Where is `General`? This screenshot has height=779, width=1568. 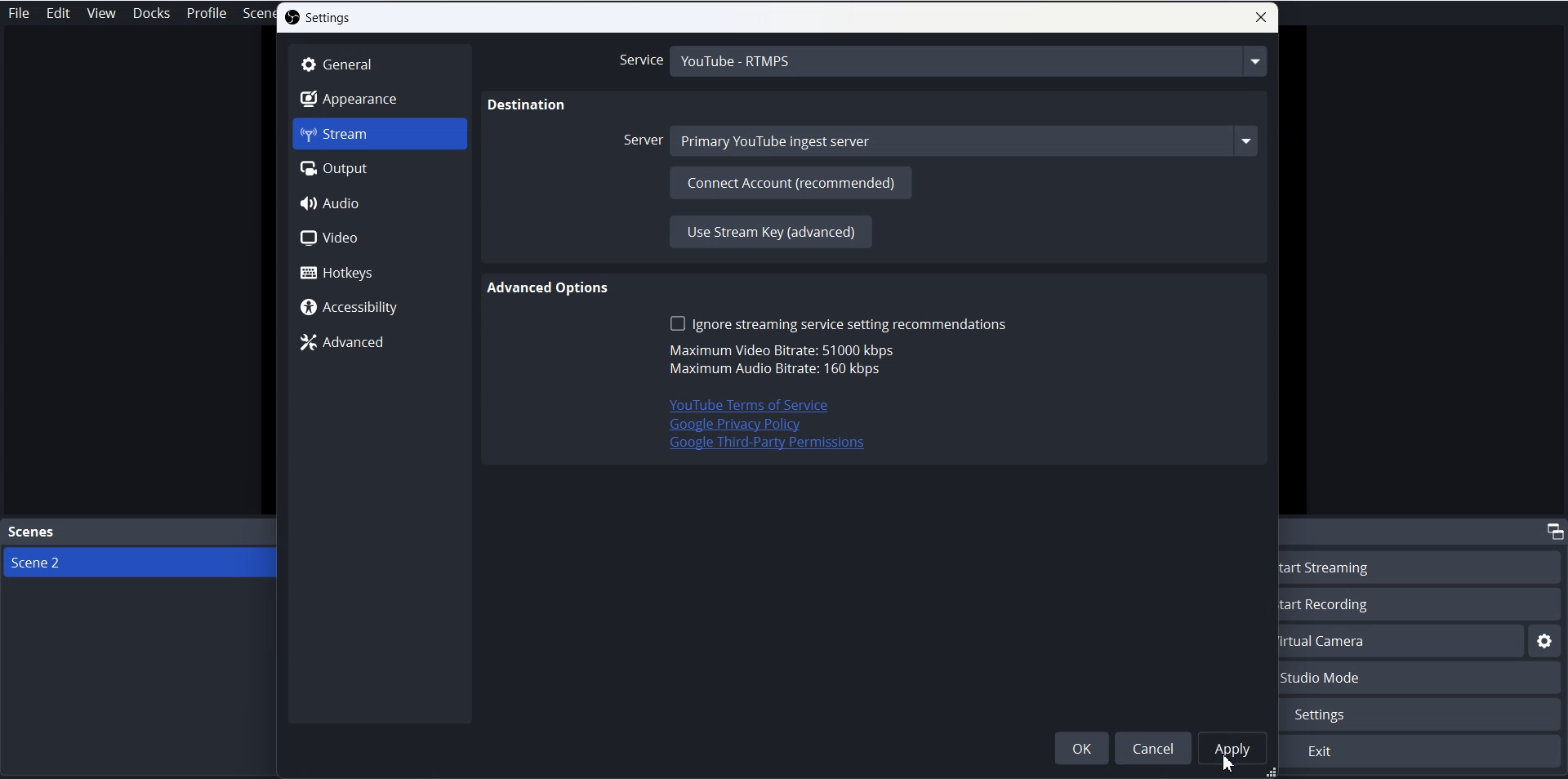 General is located at coordinates (380, 65).